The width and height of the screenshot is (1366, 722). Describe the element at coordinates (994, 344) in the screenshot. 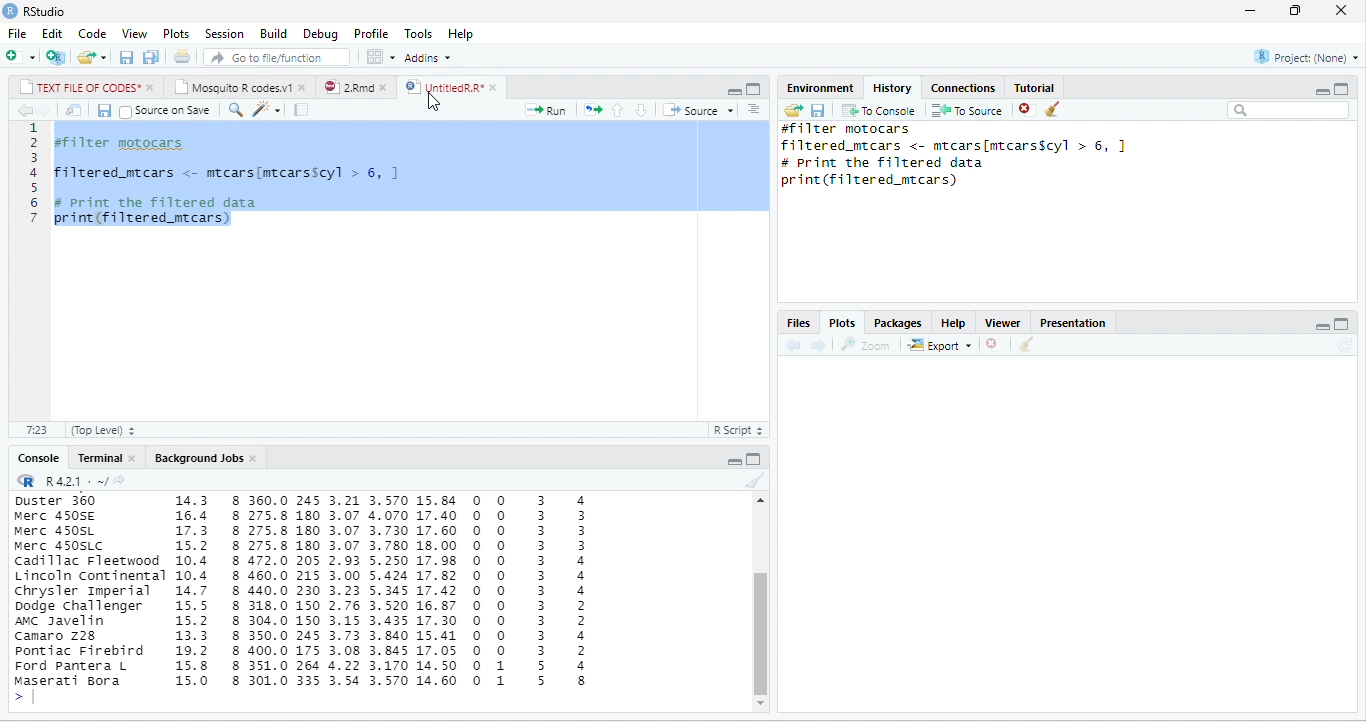

I see `close file` at that location.